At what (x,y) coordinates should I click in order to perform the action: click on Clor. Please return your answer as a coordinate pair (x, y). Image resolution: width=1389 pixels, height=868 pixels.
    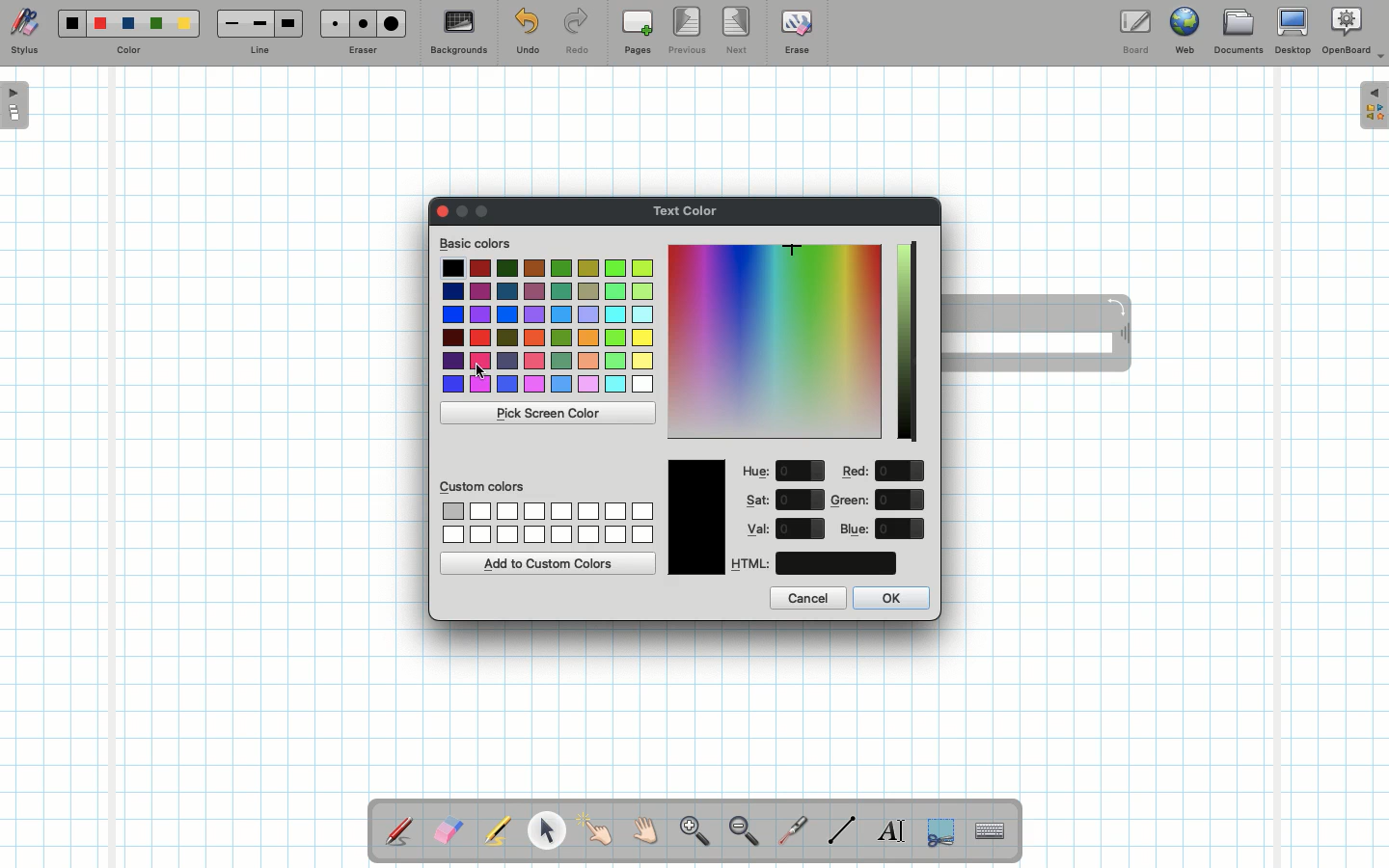
    Looking at the image, I should click on (437, 210).